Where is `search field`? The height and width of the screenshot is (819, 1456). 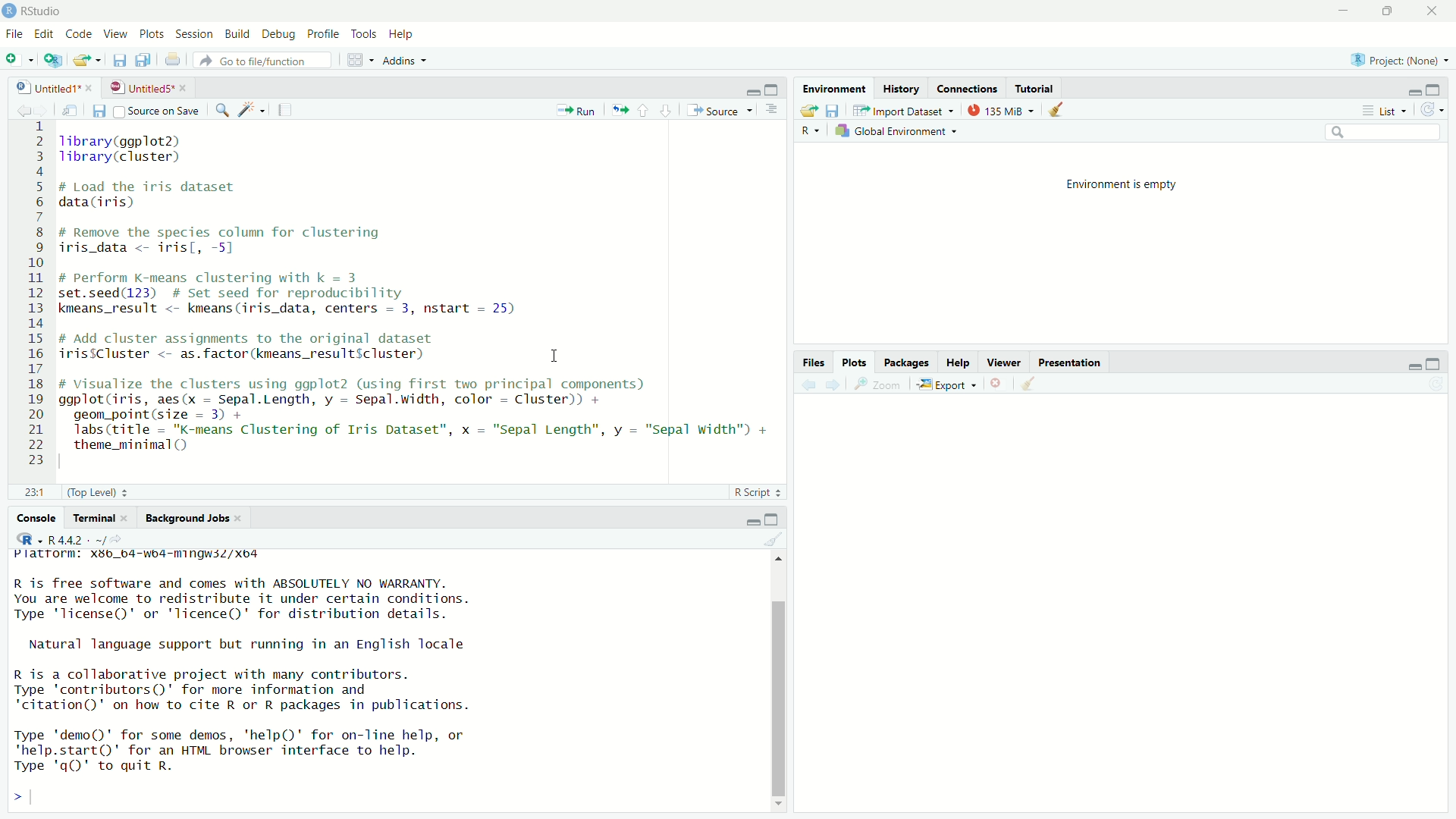
search field is located at coordinates (1381, 132).